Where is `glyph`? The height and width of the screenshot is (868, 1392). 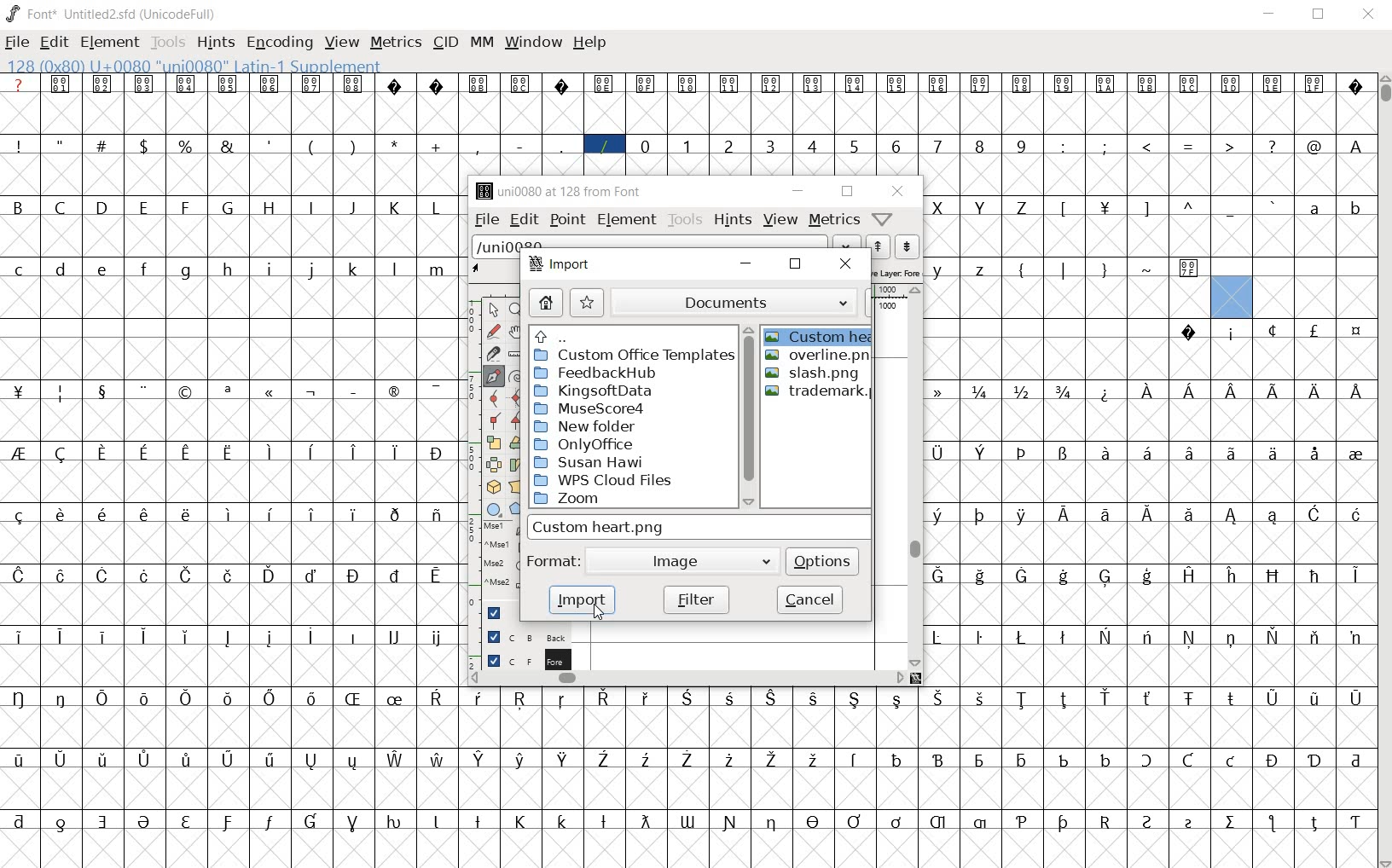
glyph is located at coordinates (1190, 205).